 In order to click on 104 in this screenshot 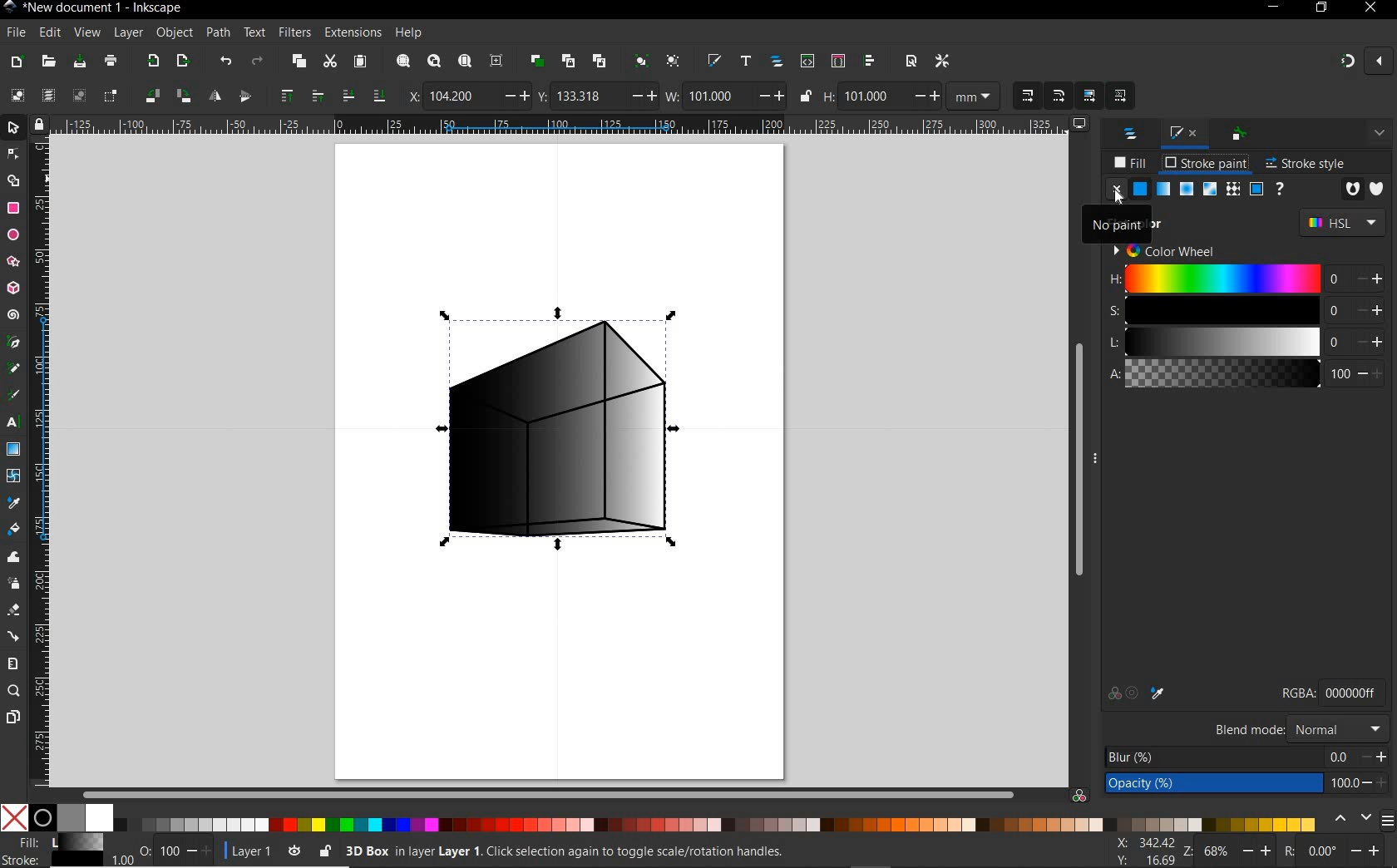, I will do `click(459, 98)`.